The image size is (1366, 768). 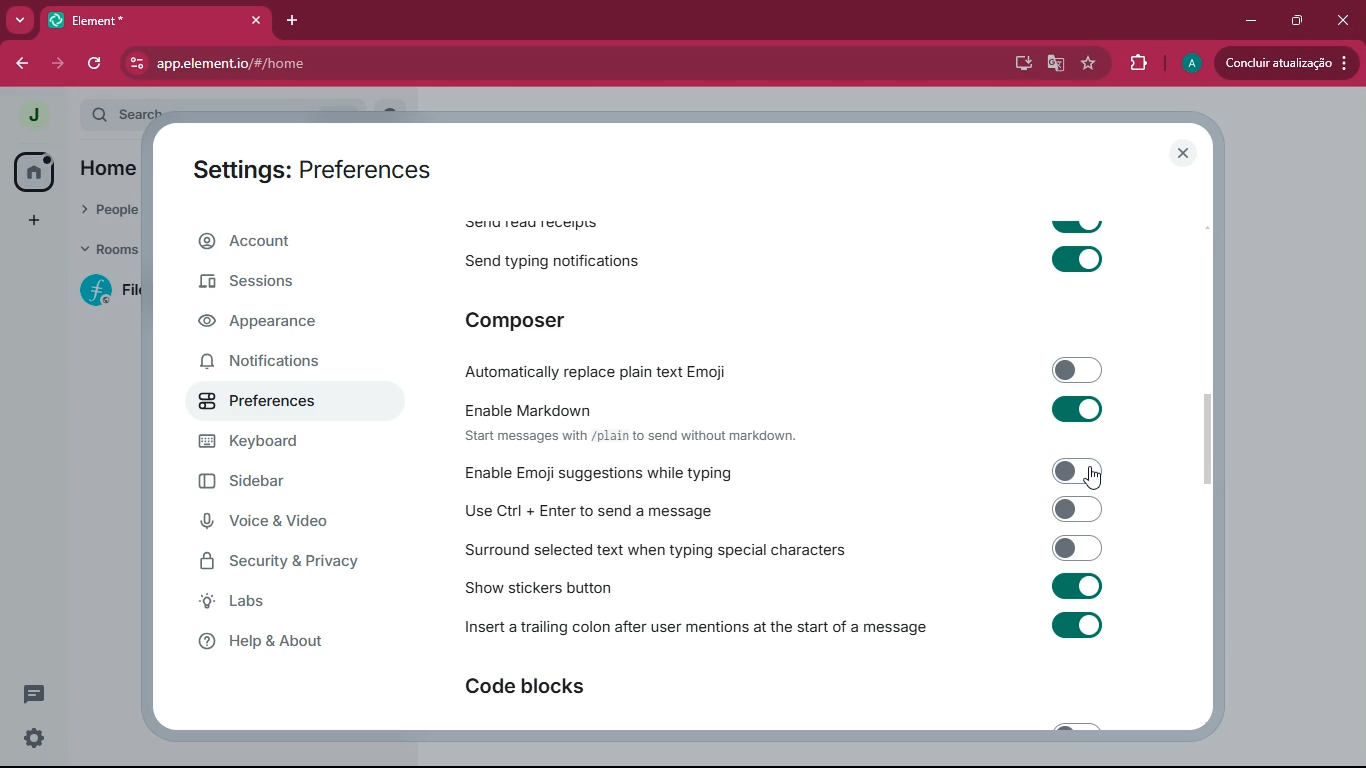 I want to click on scroll bar, so click(x=1218, y=442).